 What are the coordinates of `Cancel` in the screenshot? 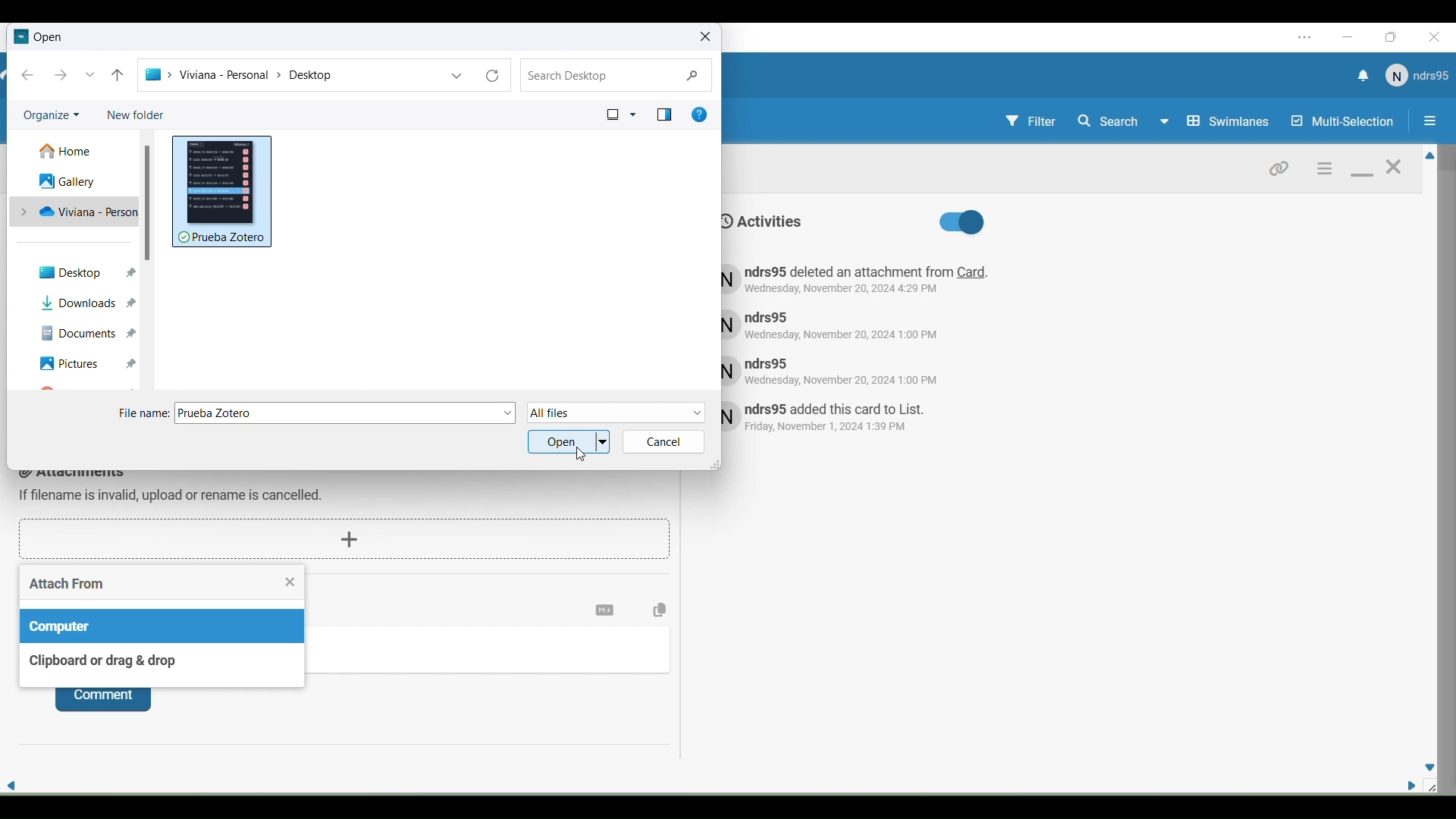 It's located at (665, 442).